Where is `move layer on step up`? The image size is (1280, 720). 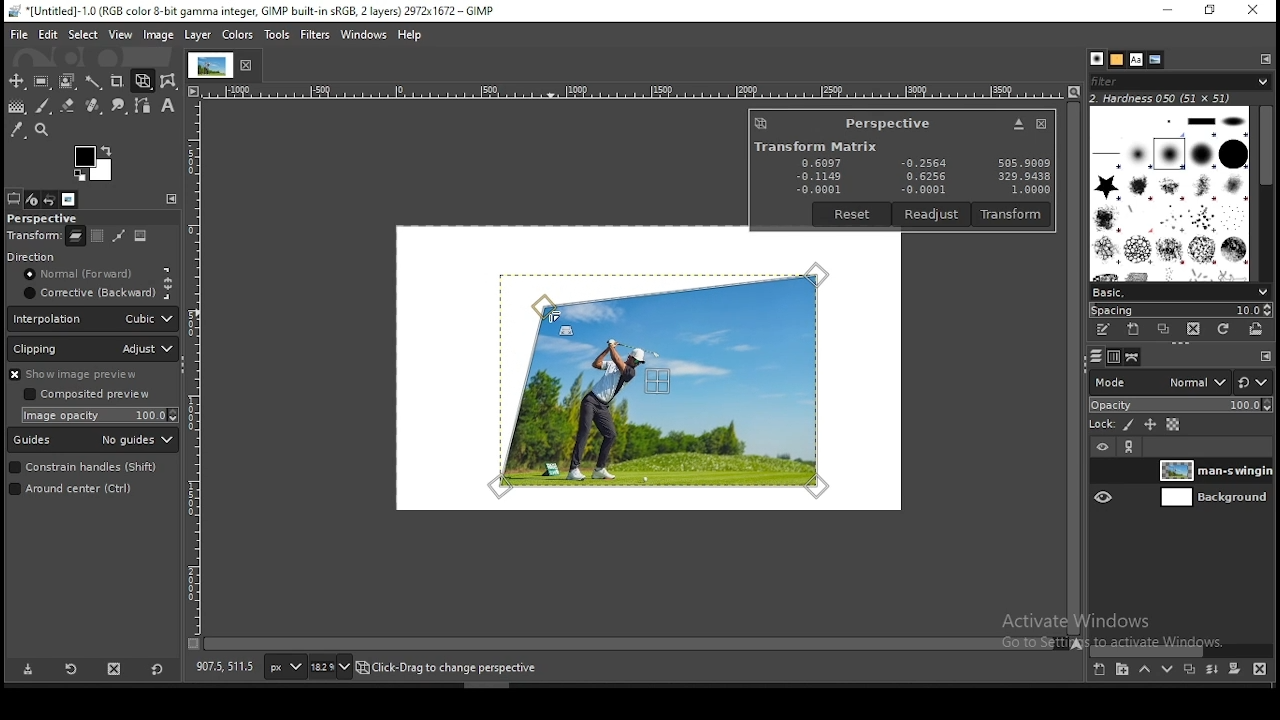 move layer on step up is located at coordinates (1142, 669).